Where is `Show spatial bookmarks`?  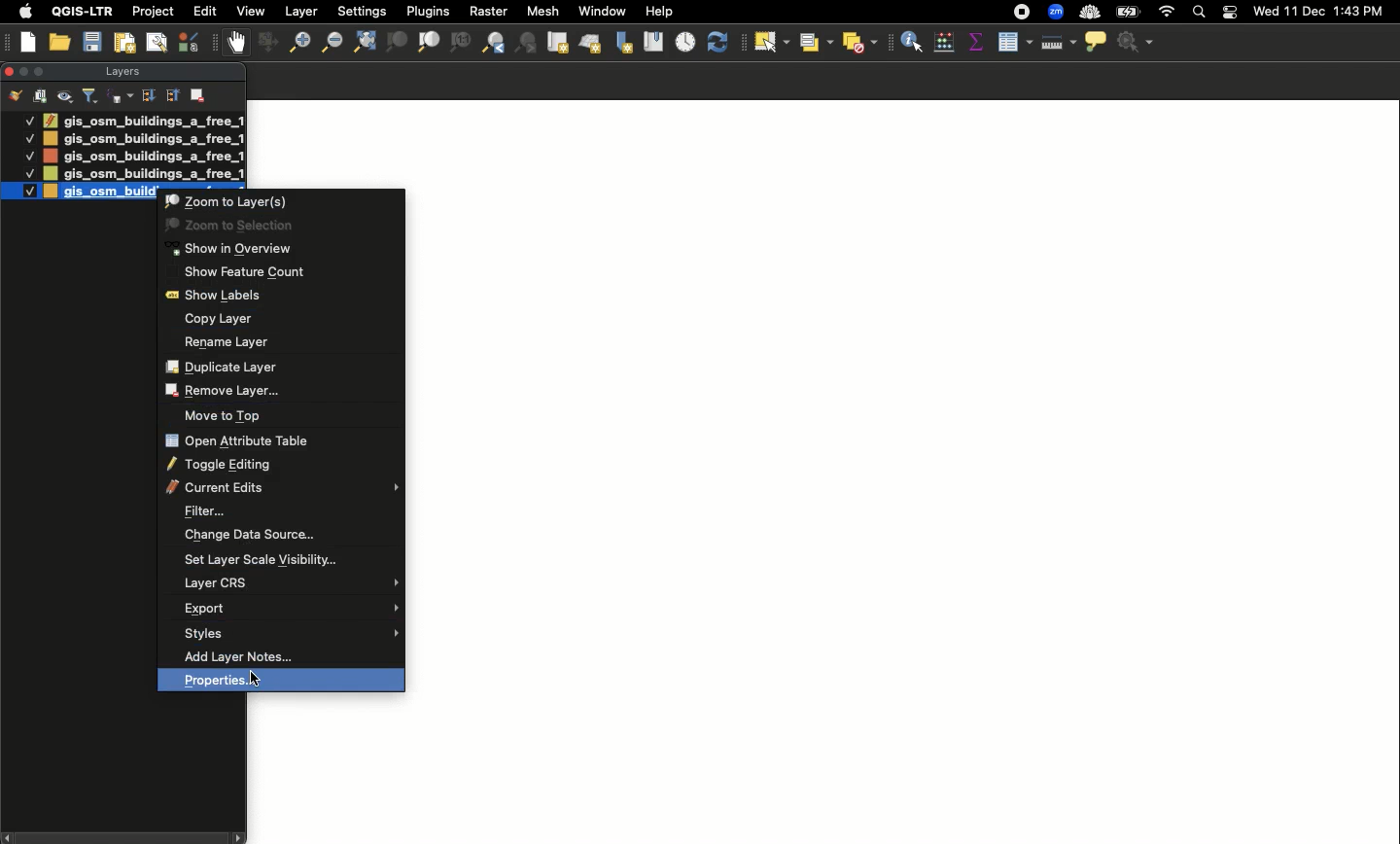 Show spatial bookmarks is located at coordinates (653, 40).